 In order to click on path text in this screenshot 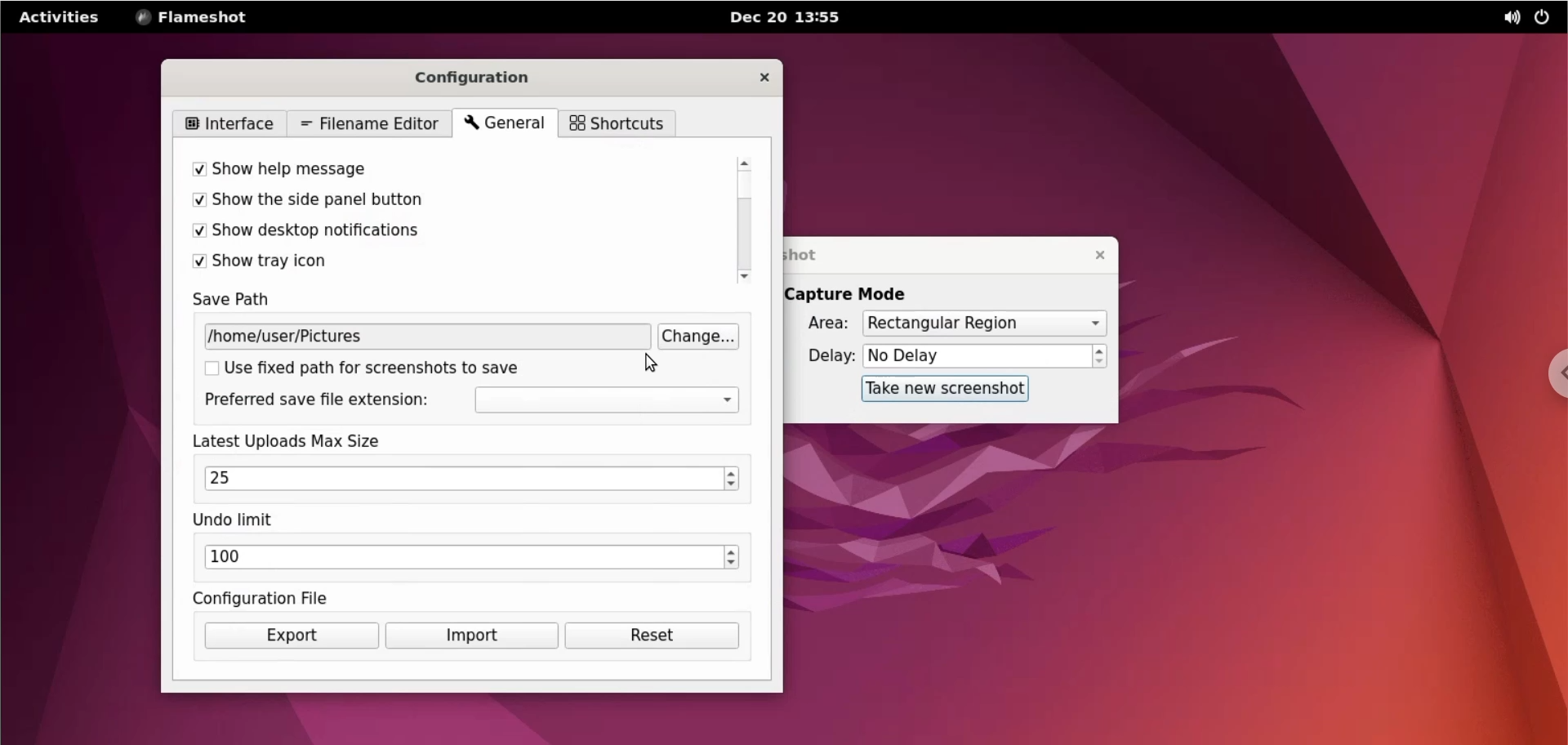, I will do `click(425, 337)`.